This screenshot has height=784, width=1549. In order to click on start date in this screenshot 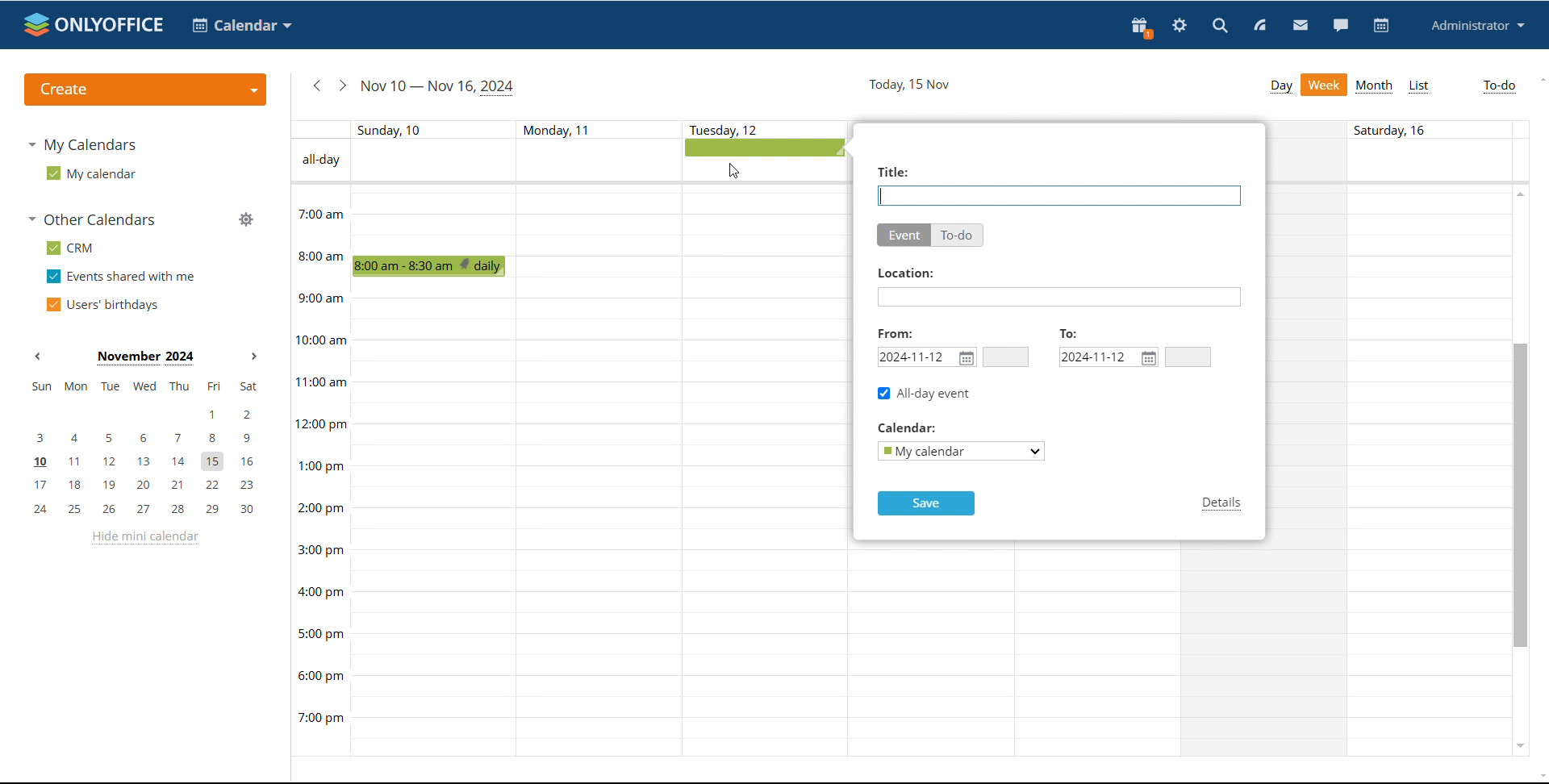, I will do `click(928, 357)`.